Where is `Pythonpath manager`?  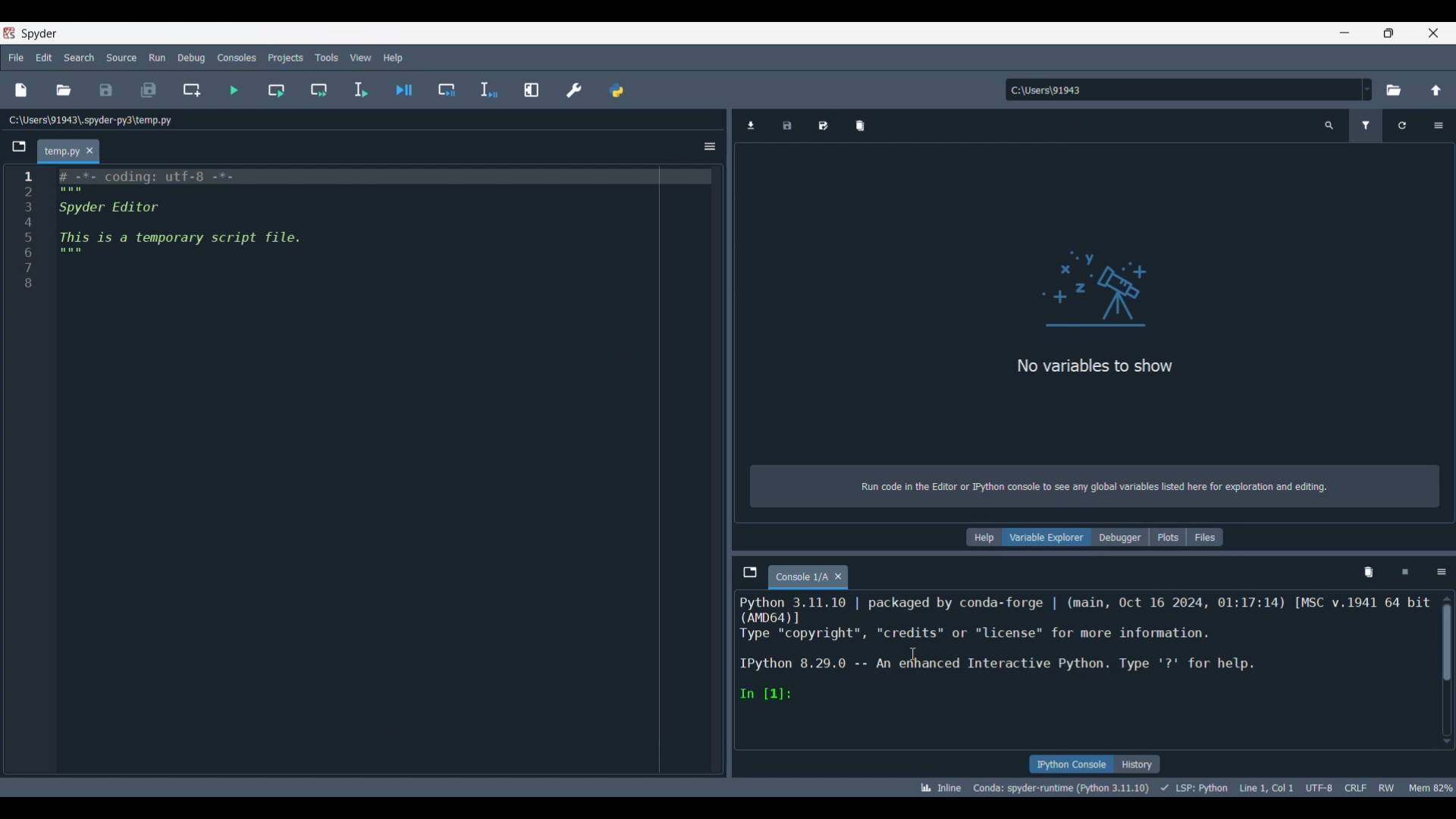 Pythonpath manager is located at coordinates (616, 89).